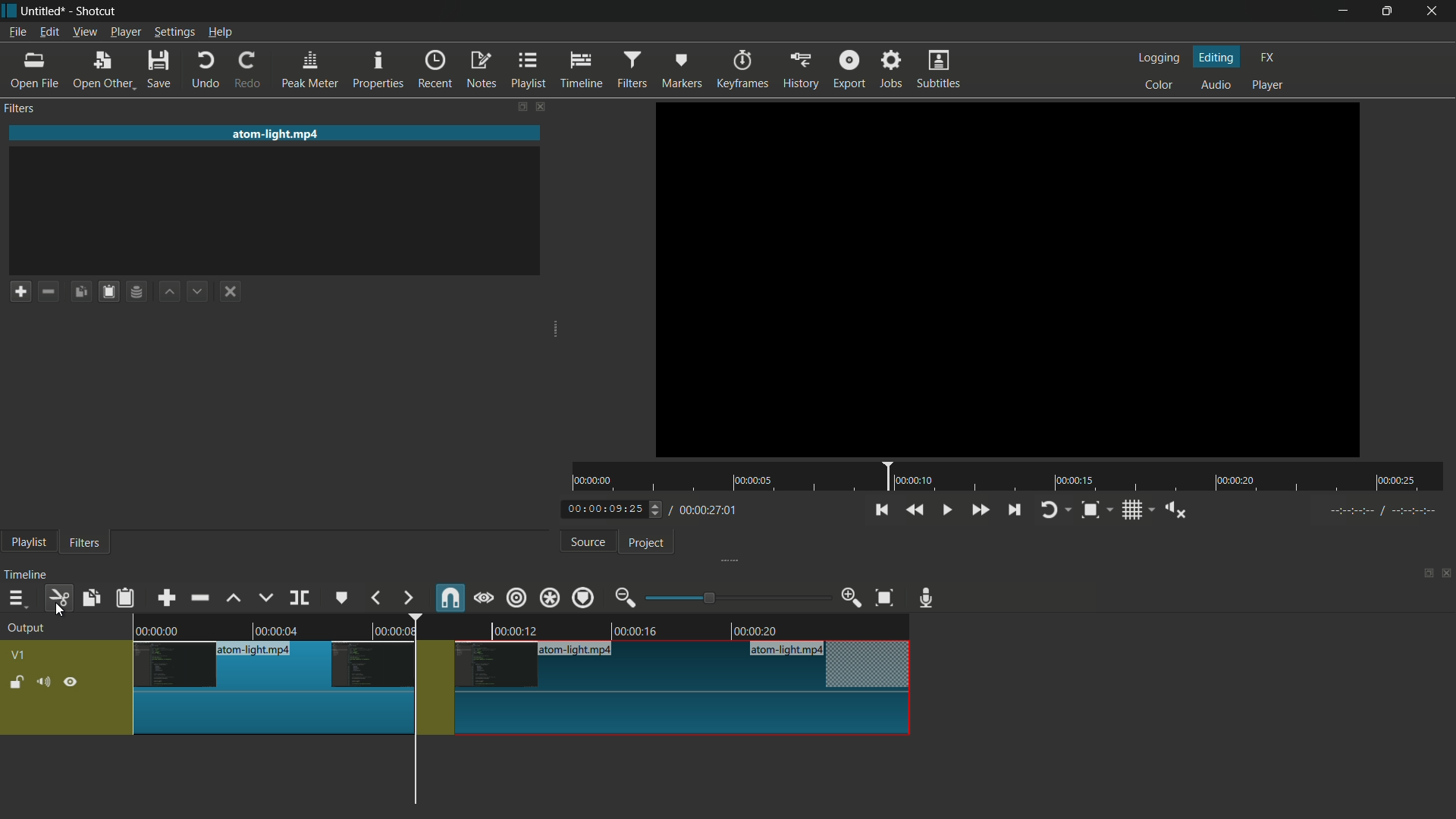  What do you see at coordinates (17, 683) in the screenshot?
I see `lock` at bounding box center [17, 683].